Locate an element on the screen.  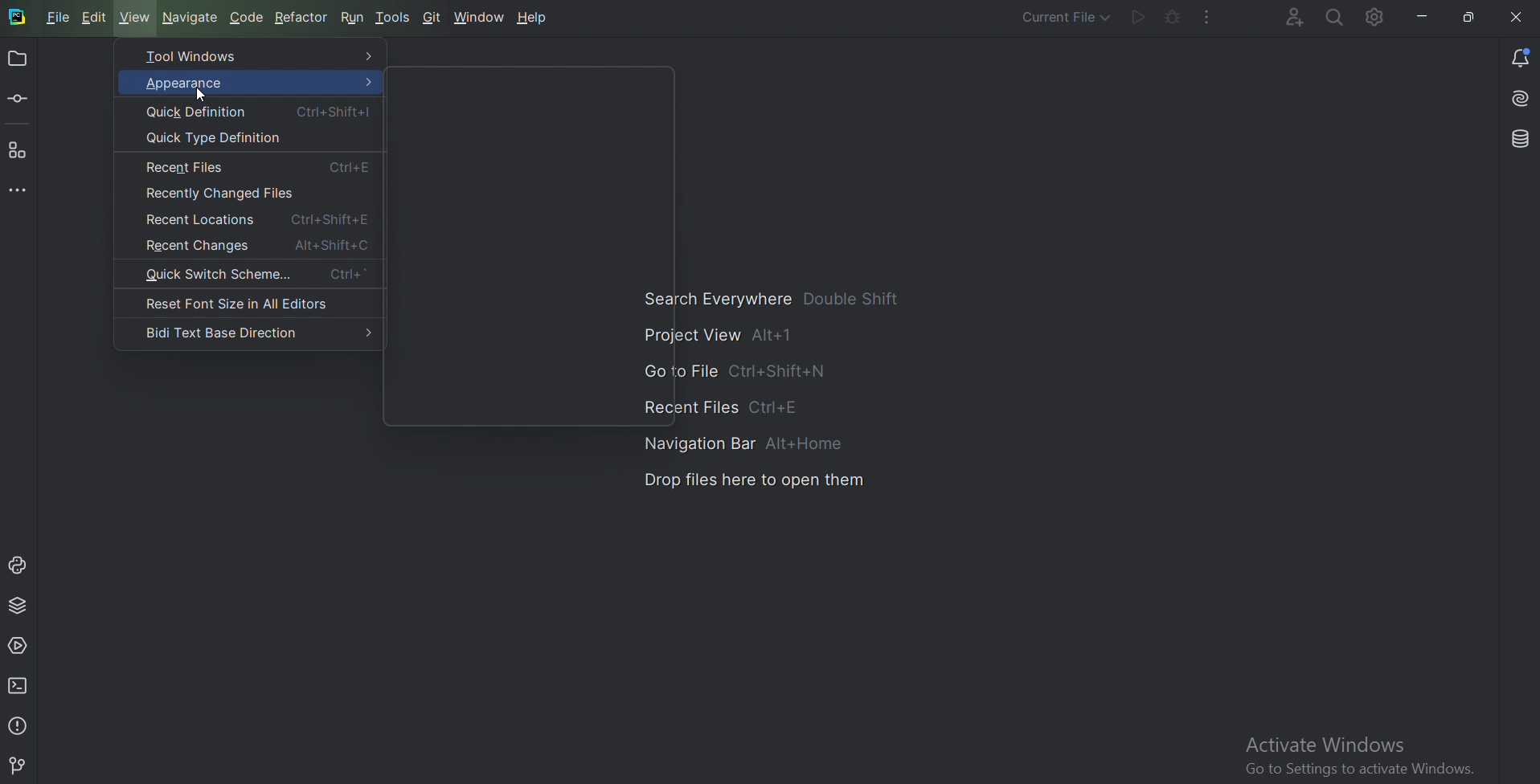
Notifications is located at coordinates (1519, 55).